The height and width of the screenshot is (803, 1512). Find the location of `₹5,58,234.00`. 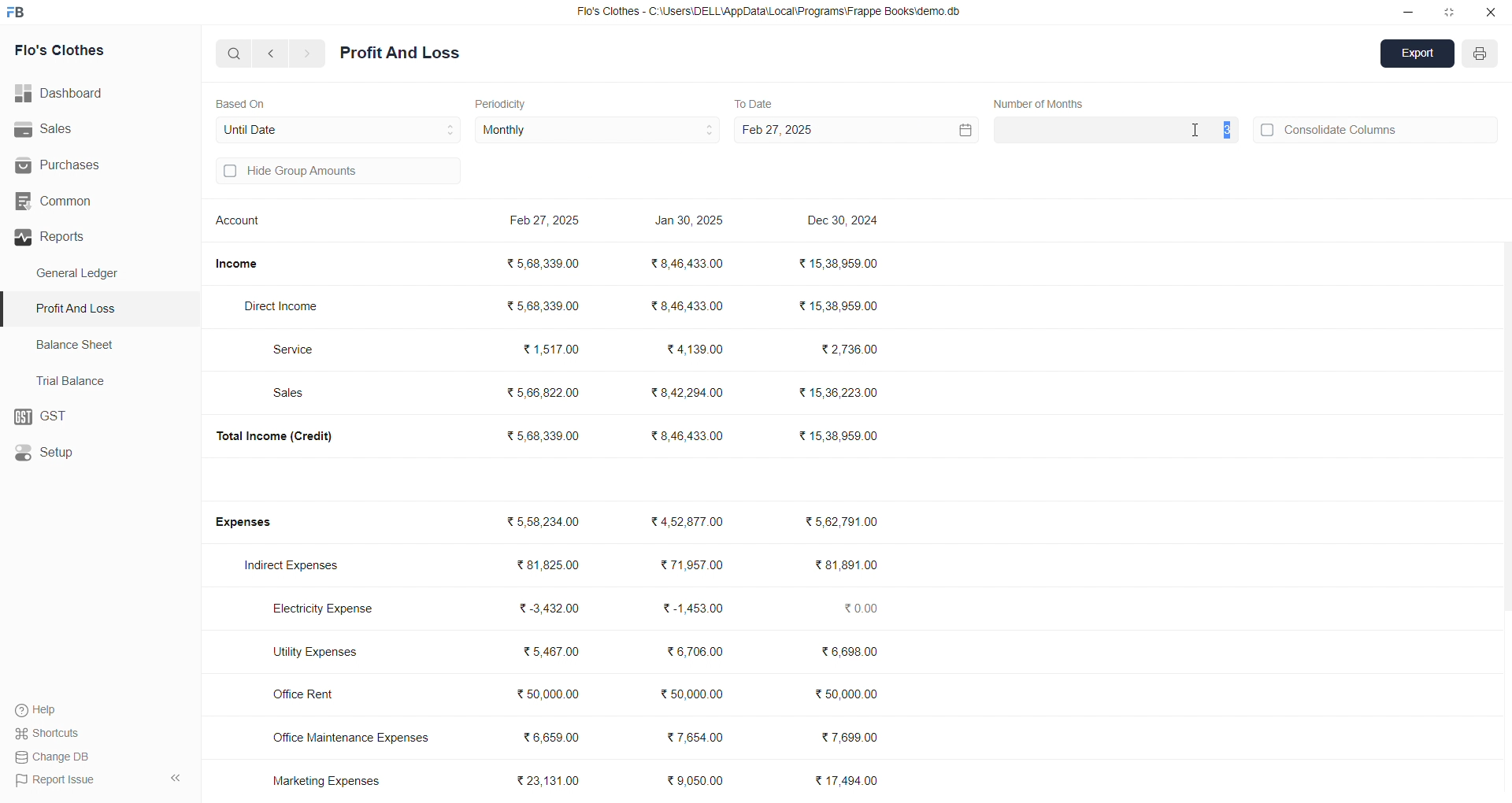

₹5,58,234.00 is located at coordinates (547, 522).